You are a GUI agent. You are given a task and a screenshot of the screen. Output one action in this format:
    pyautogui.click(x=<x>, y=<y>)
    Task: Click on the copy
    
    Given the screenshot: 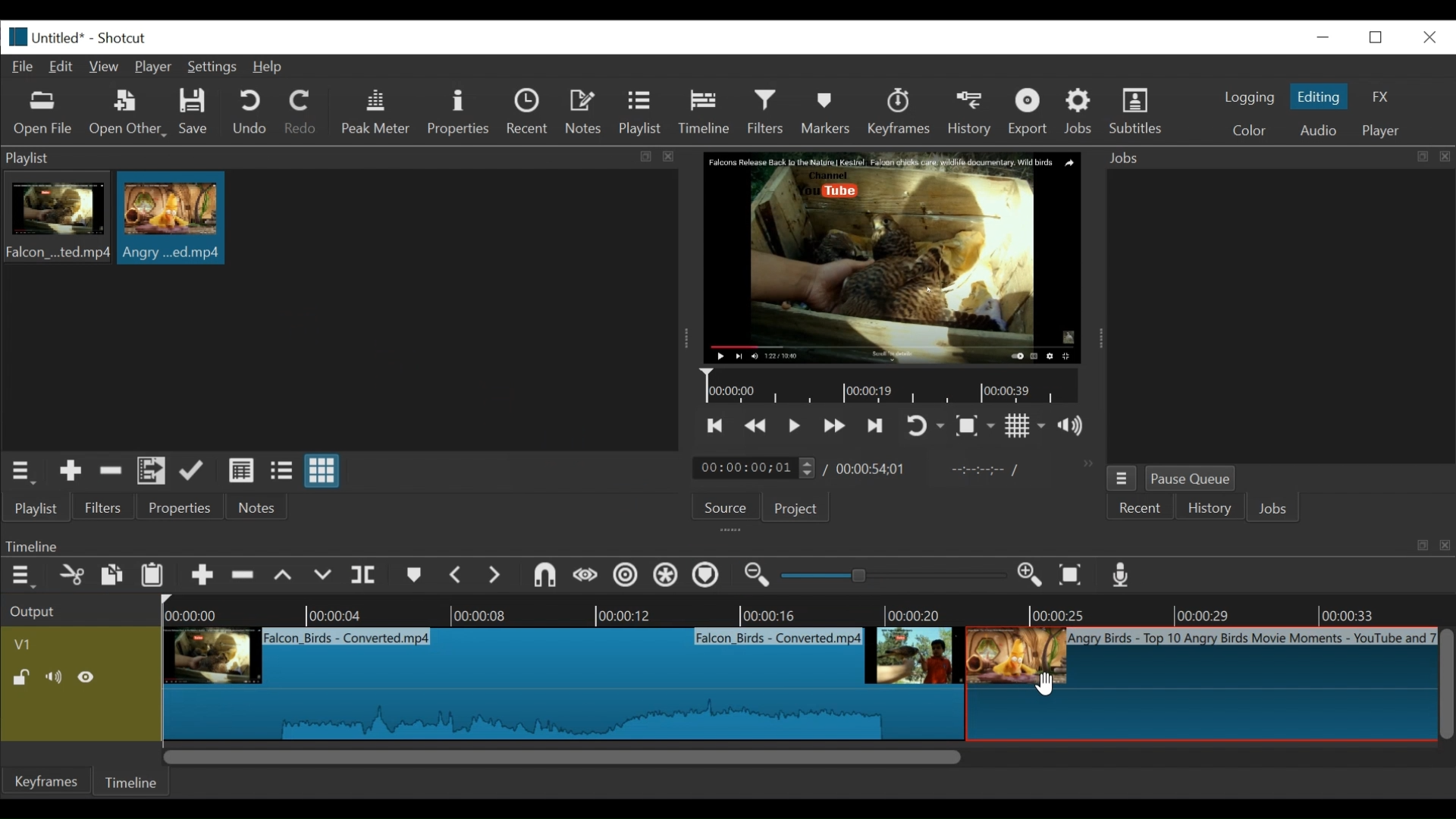 What is the action you would take?
    pyautogui.click(x=113, y=577)
    